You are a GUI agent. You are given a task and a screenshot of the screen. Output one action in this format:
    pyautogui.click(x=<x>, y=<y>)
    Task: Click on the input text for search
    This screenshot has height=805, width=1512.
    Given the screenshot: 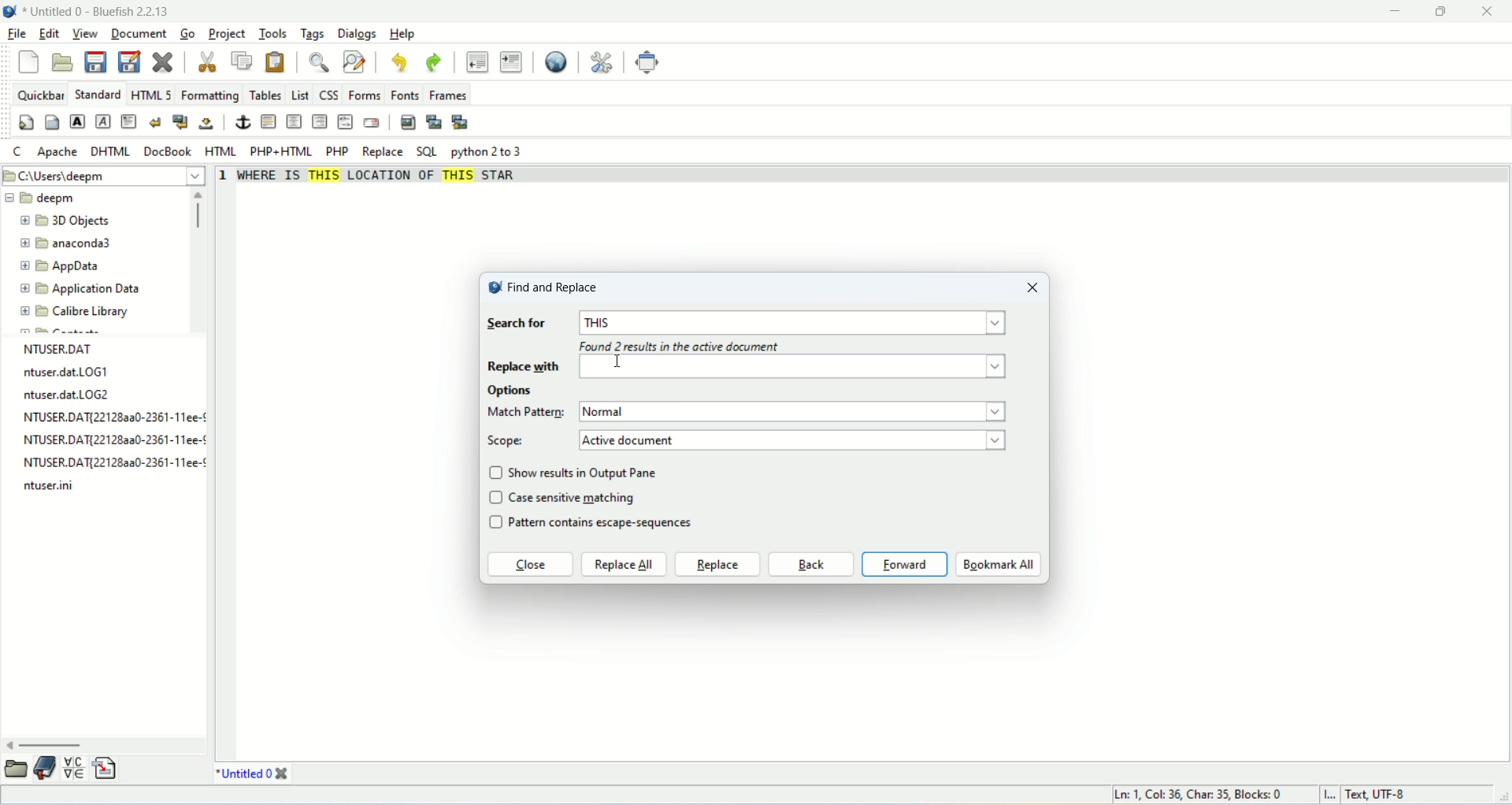 What is the action you would take?
    pyautogui.click(x=750, y=324)
    